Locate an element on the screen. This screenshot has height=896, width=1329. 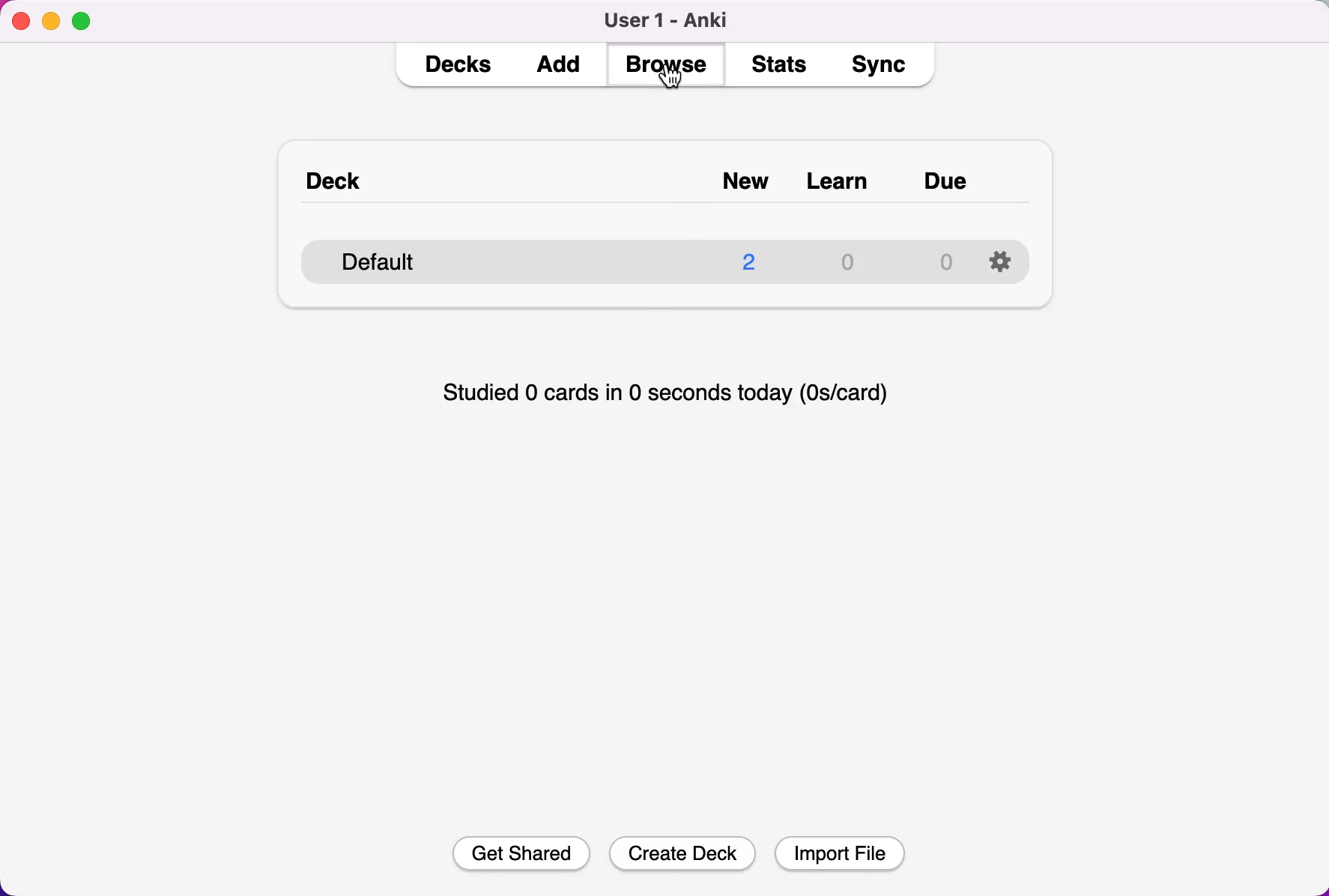
Get Shared is located at coordinates (521, 854).